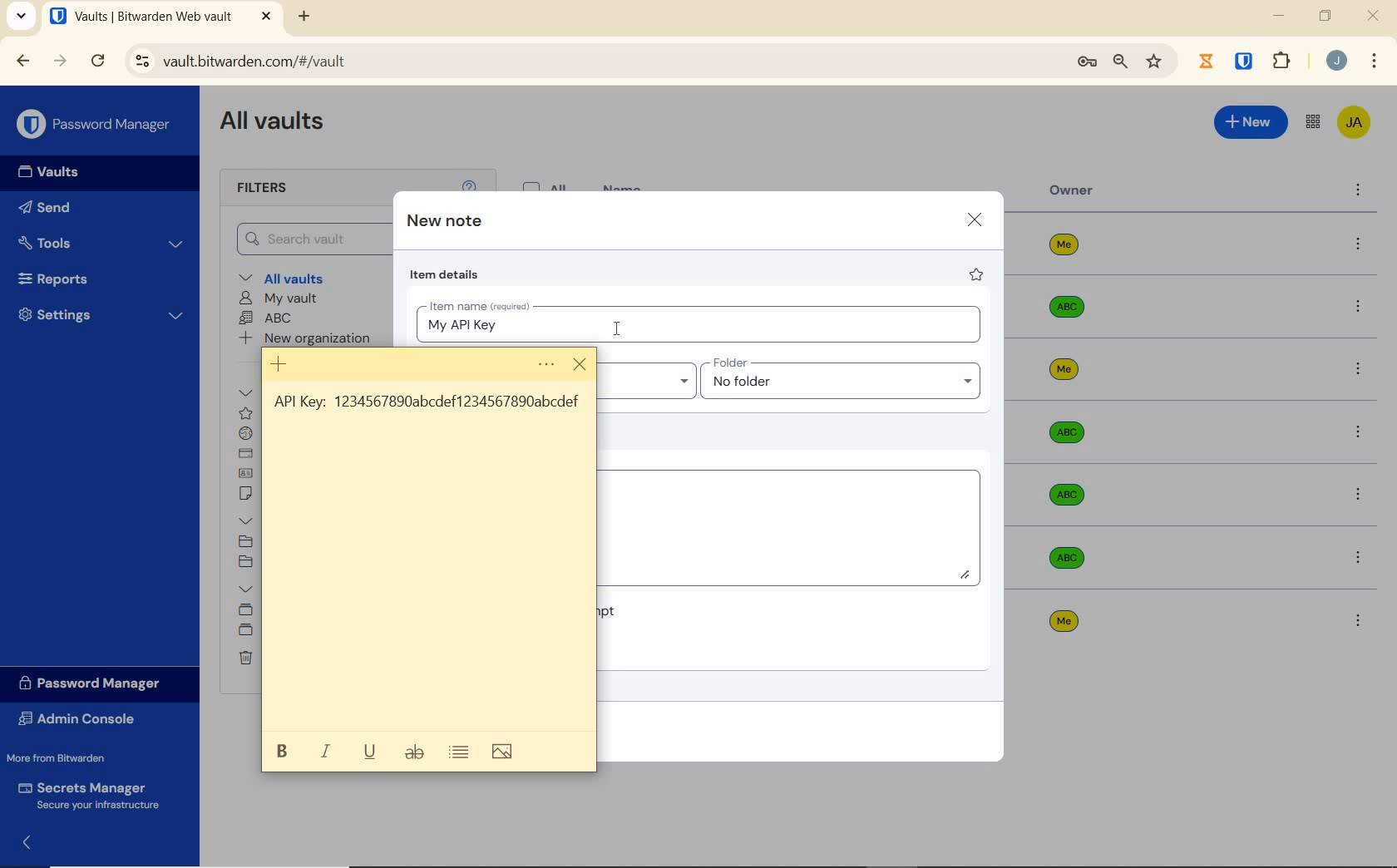  Describe the element at coordinates (1250, 122) in the screenshot. I see `New` at that location.